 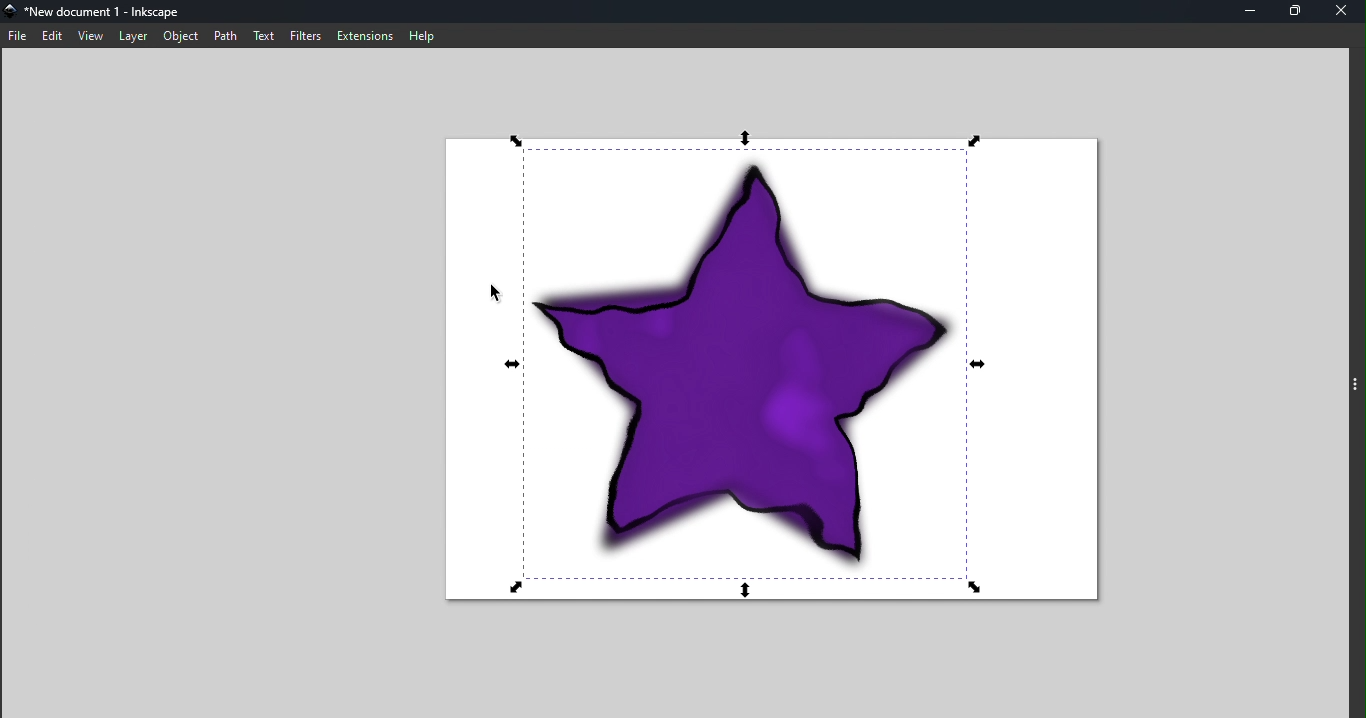 I want to click on Close, so click(x=1344, y=11).